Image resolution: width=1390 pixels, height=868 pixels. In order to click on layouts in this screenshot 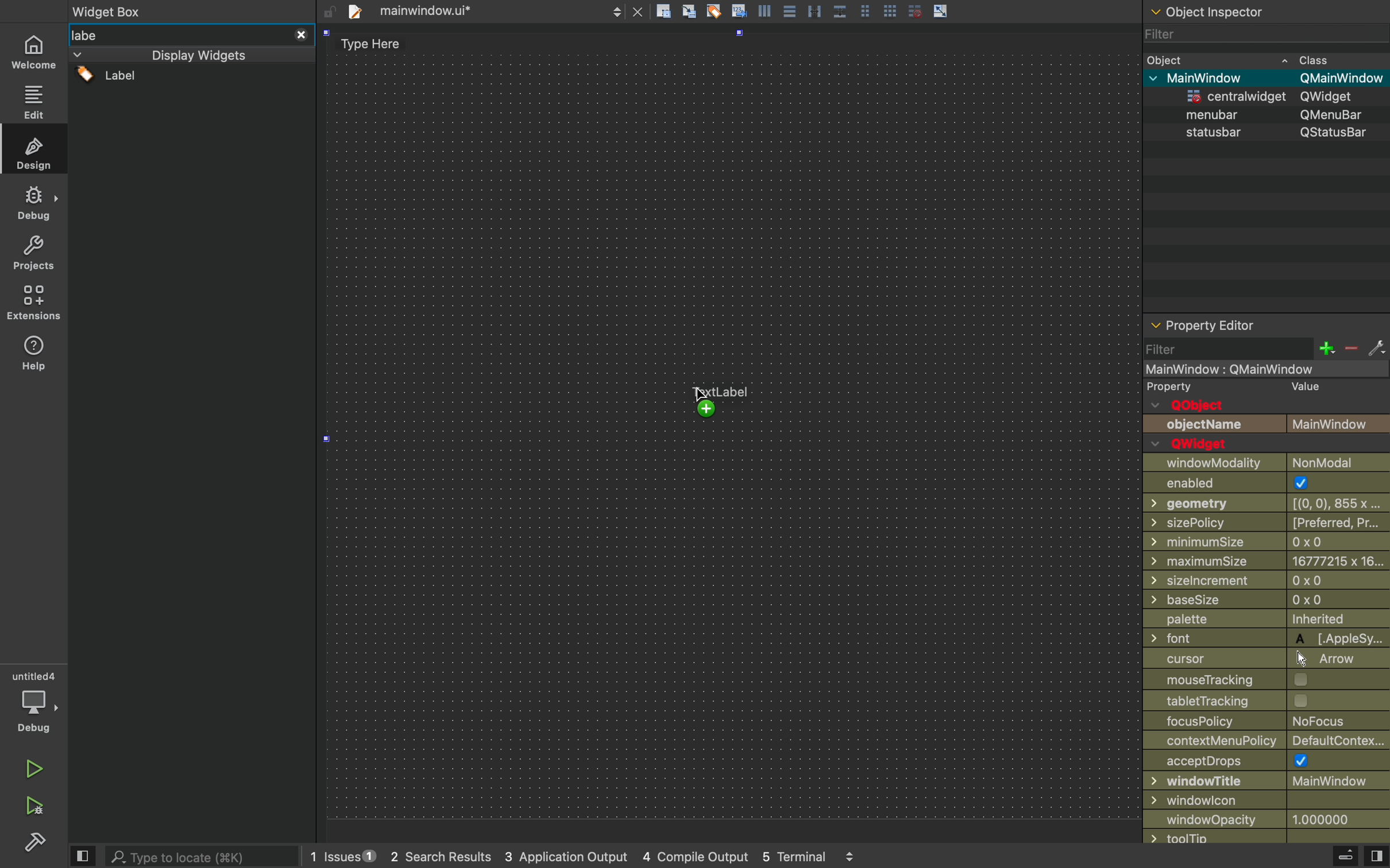, I will do `click(191, 55)`.